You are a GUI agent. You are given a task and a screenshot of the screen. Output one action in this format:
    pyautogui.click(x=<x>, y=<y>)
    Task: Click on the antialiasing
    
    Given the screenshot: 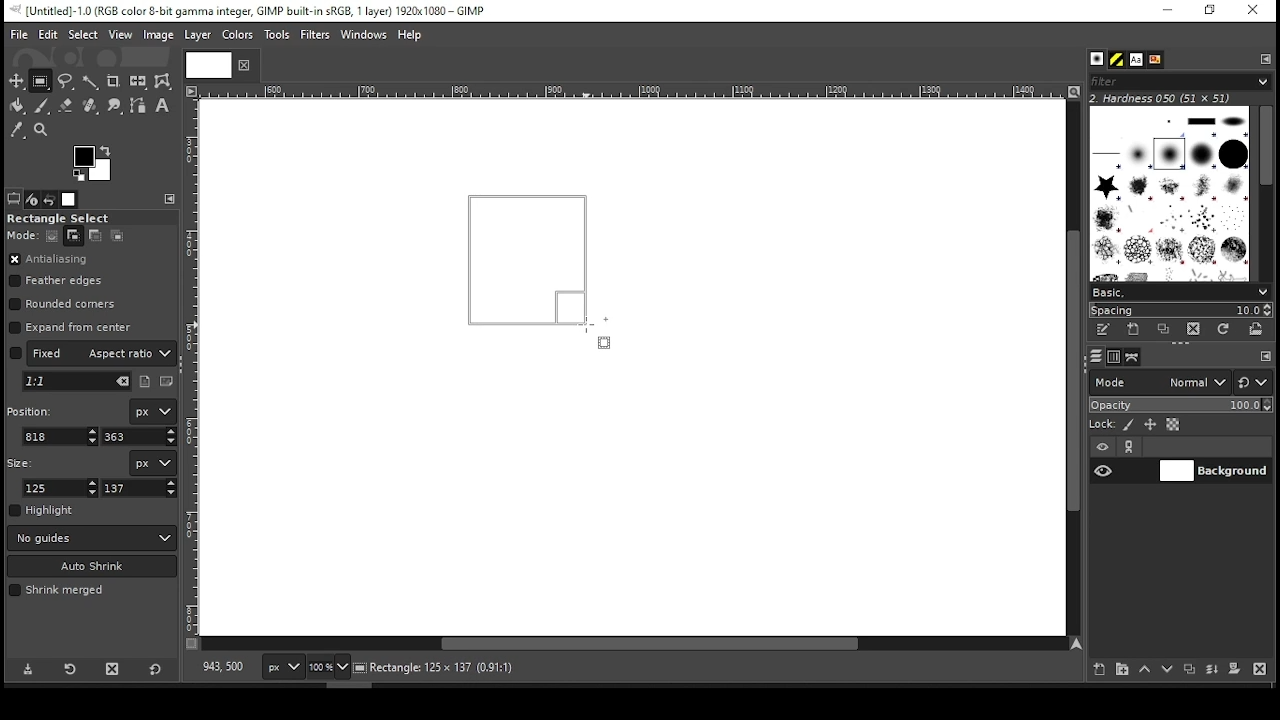 What is the action you would take?
    pyautogui.click(x=49, y=260)
    